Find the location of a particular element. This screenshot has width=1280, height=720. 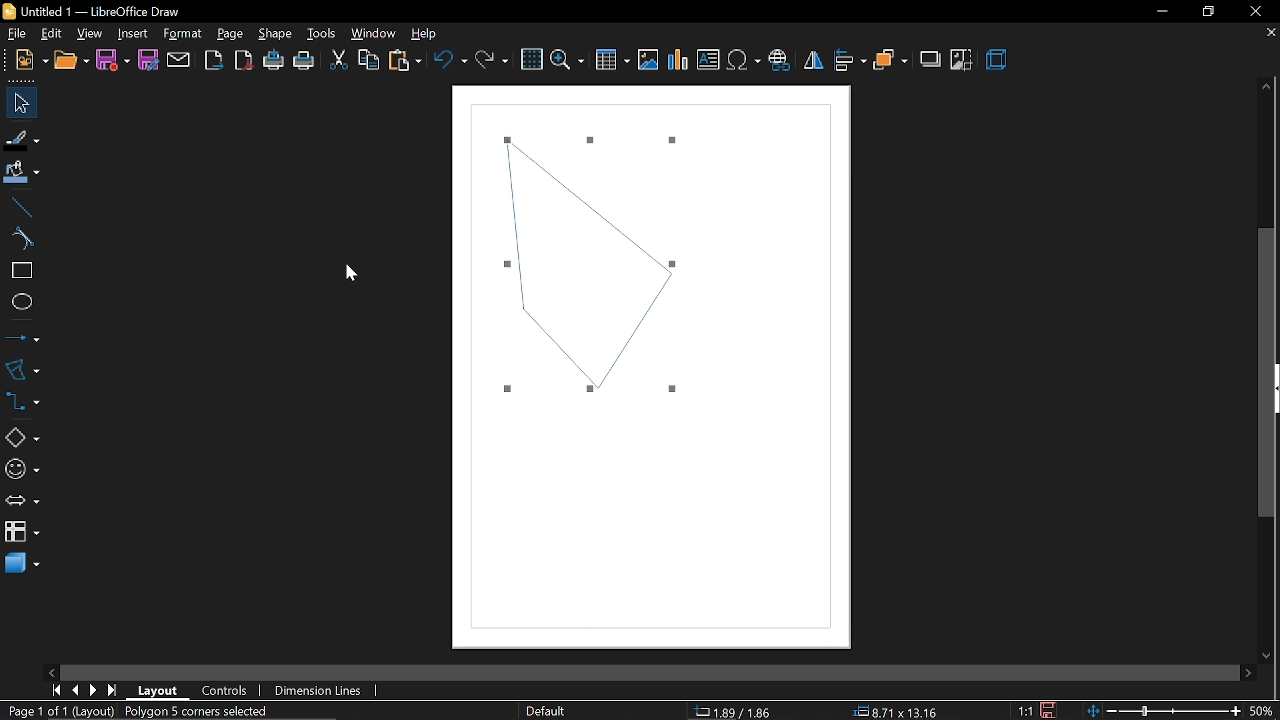

Untitled 1- Libreoffice Draw is located at coordinates (106, 11).